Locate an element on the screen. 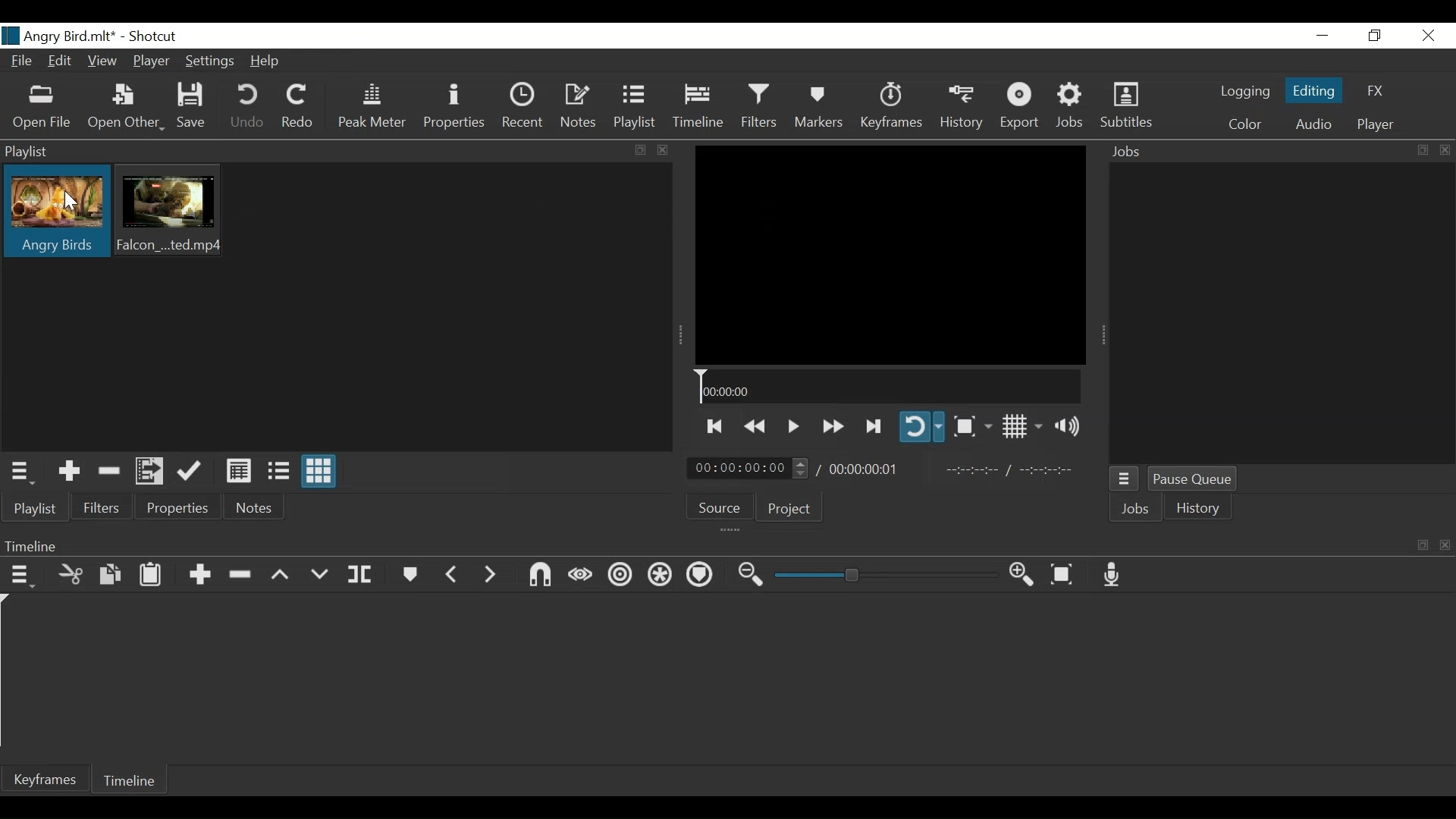 The image size is (1456, 819). Timeline menu is located at coordinates (20, 576).